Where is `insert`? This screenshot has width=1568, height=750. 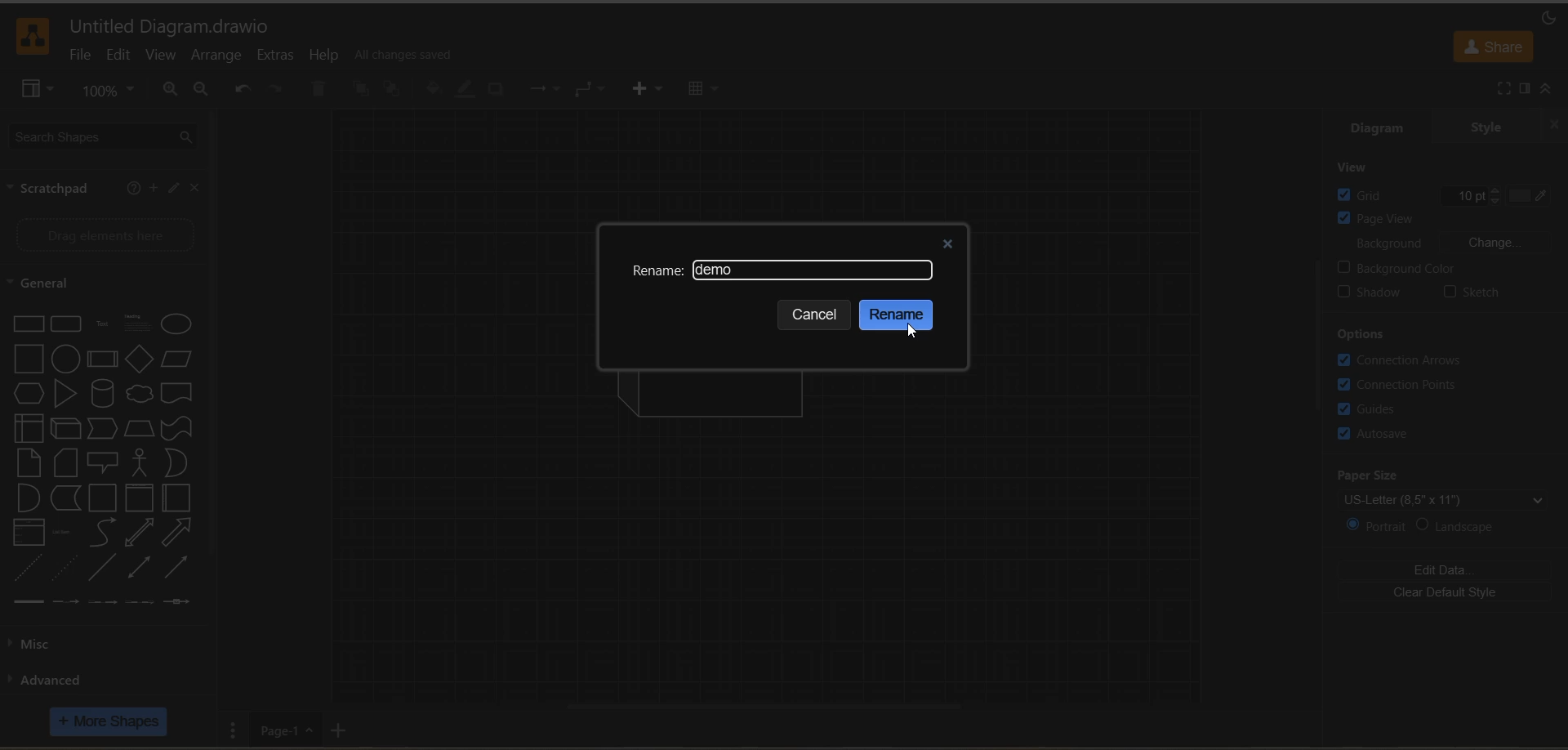
insert is located at coordinates (655, 90).